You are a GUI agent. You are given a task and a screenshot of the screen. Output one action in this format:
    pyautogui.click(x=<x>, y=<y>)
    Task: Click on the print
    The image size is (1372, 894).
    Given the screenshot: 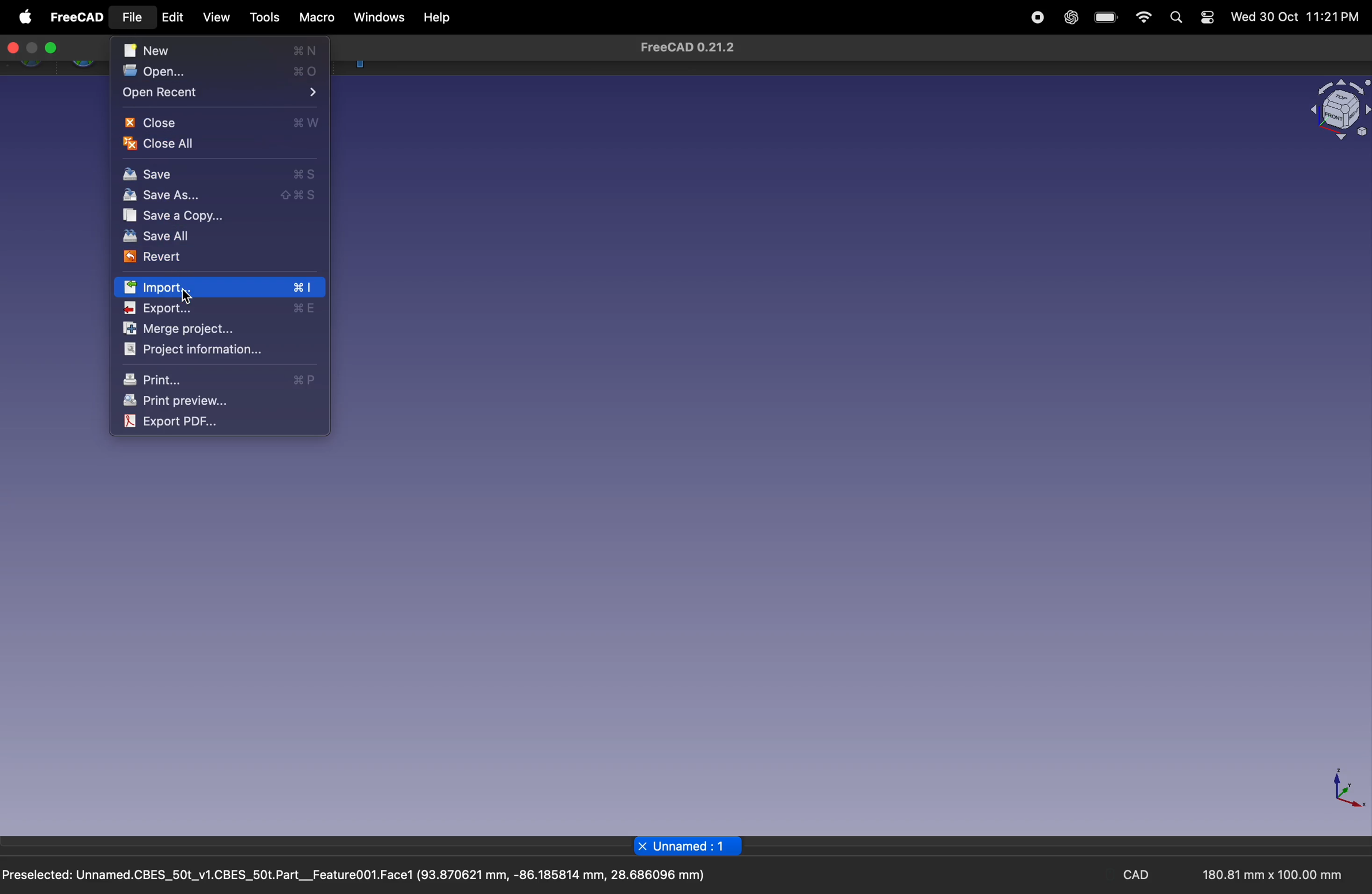 What is the action you would take?
    pyautogui.click(x=223, y=378)
    